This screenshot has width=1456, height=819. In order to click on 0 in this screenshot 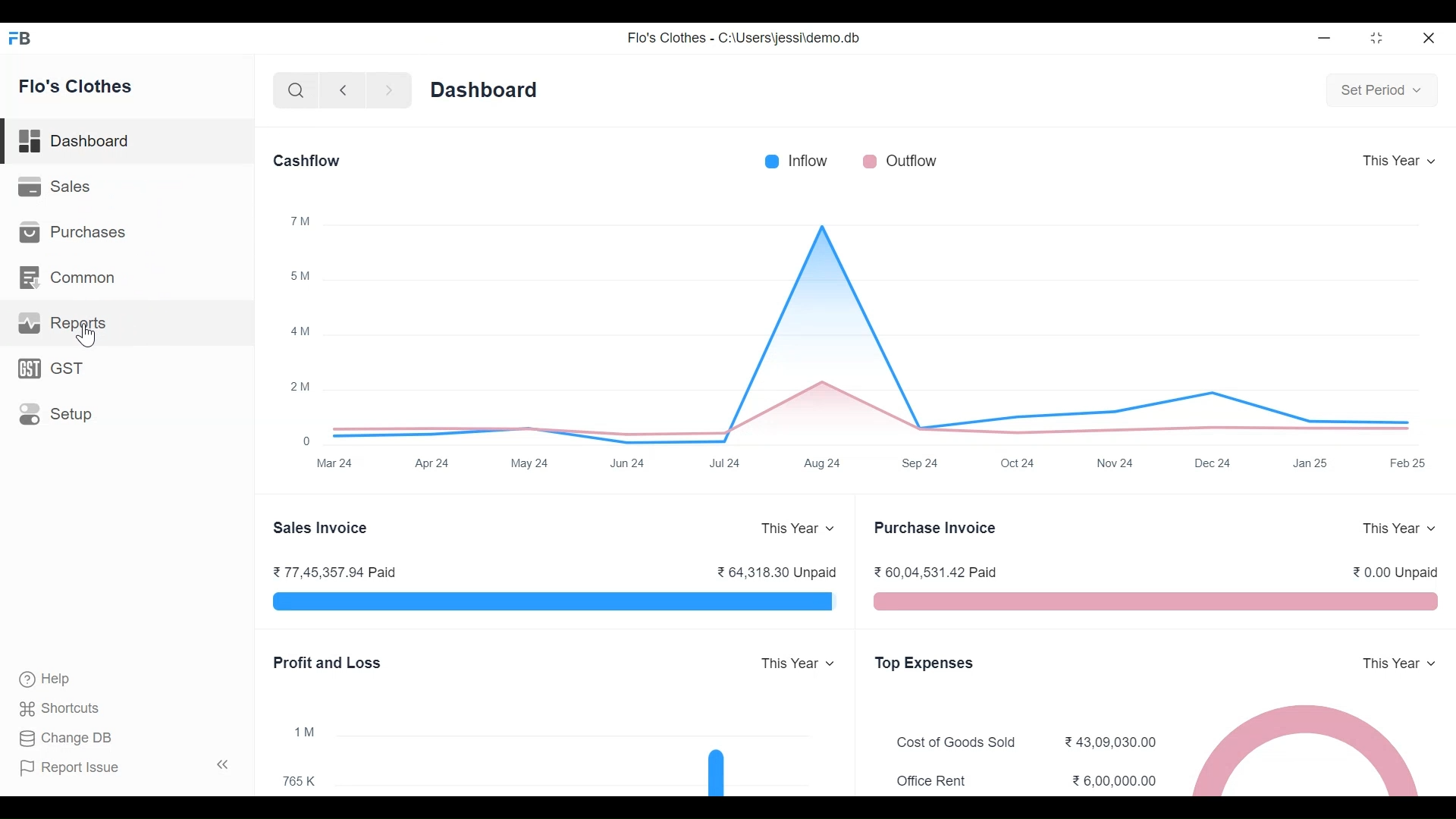, I will do `click(306, 441)`.